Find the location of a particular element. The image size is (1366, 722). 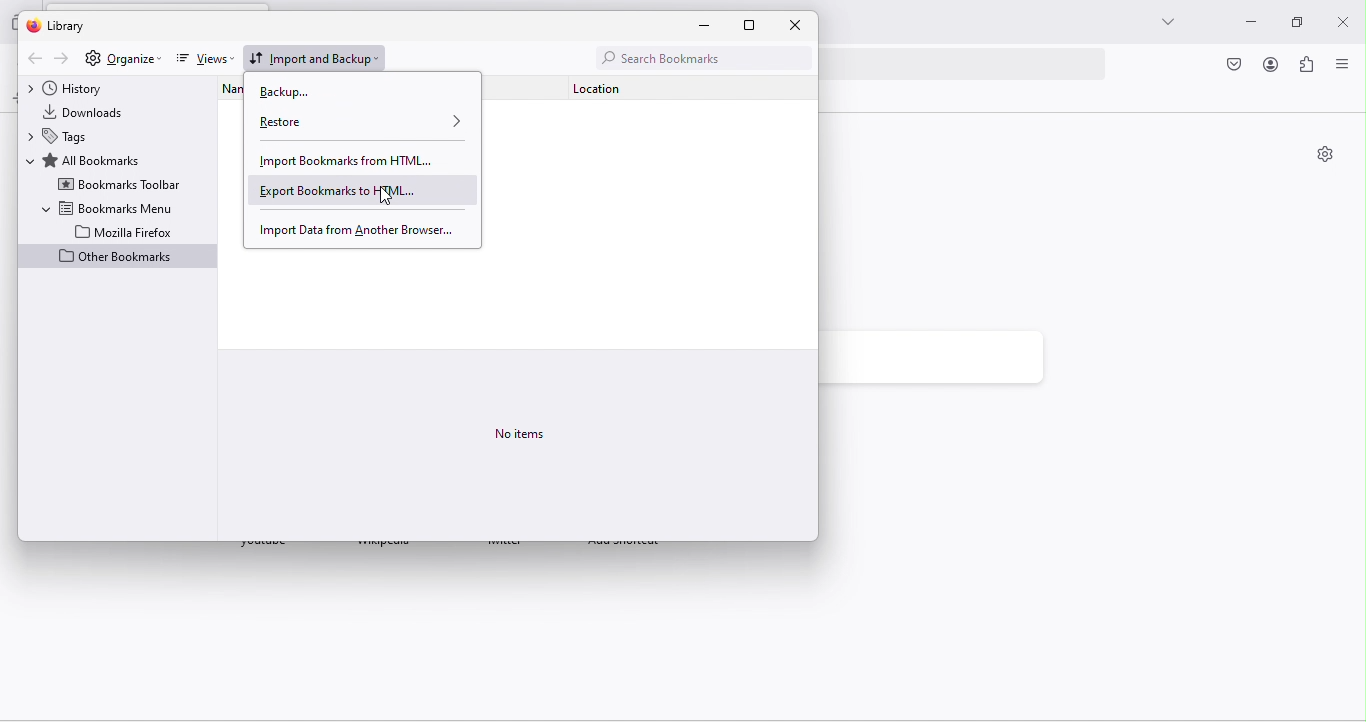

bookmarks toolbar is located at coordinates (119, 185).